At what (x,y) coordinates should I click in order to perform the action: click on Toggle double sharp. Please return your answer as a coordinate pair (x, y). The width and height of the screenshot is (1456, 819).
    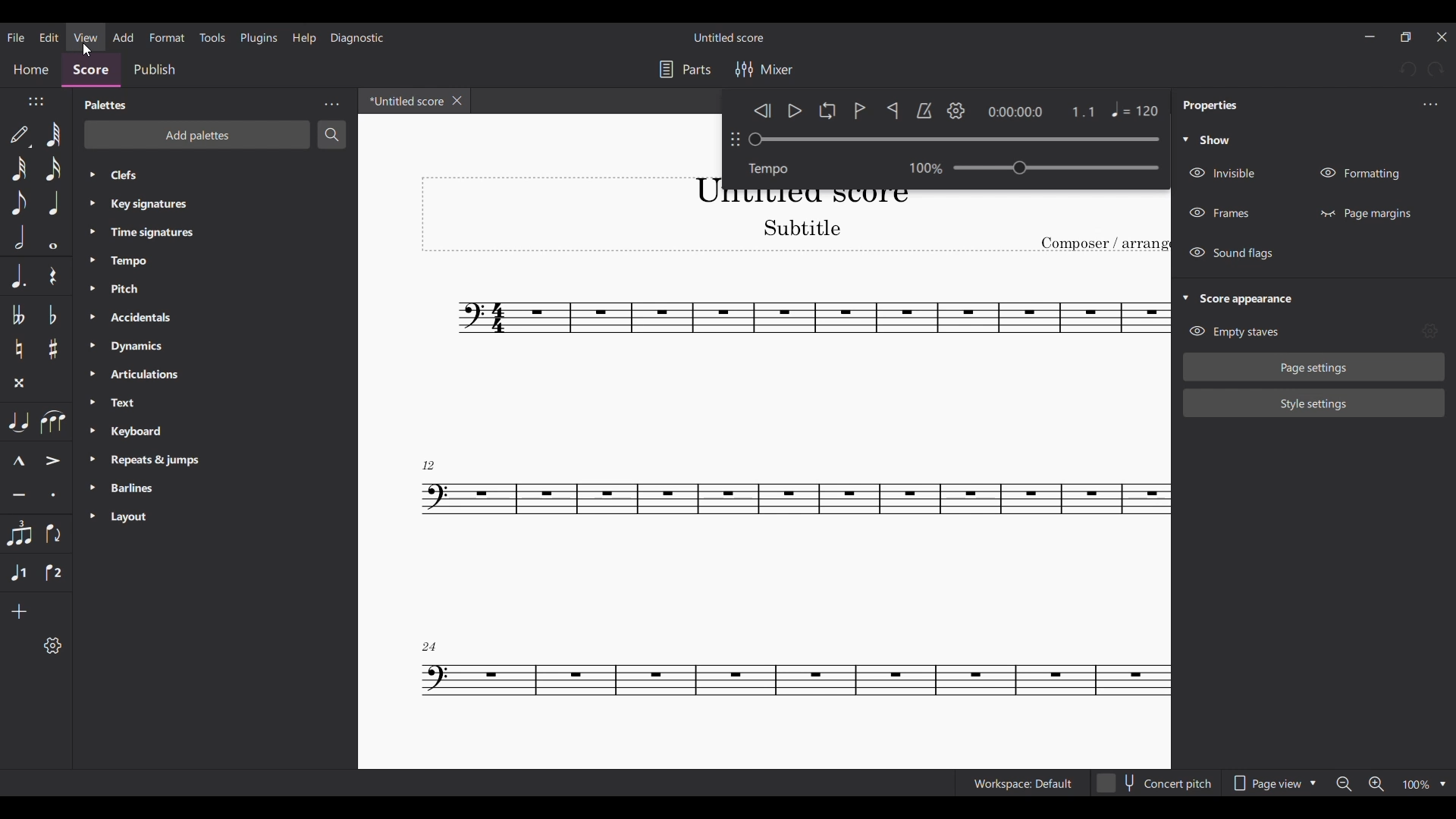
    Looking at the image, I should click on (19, 383).